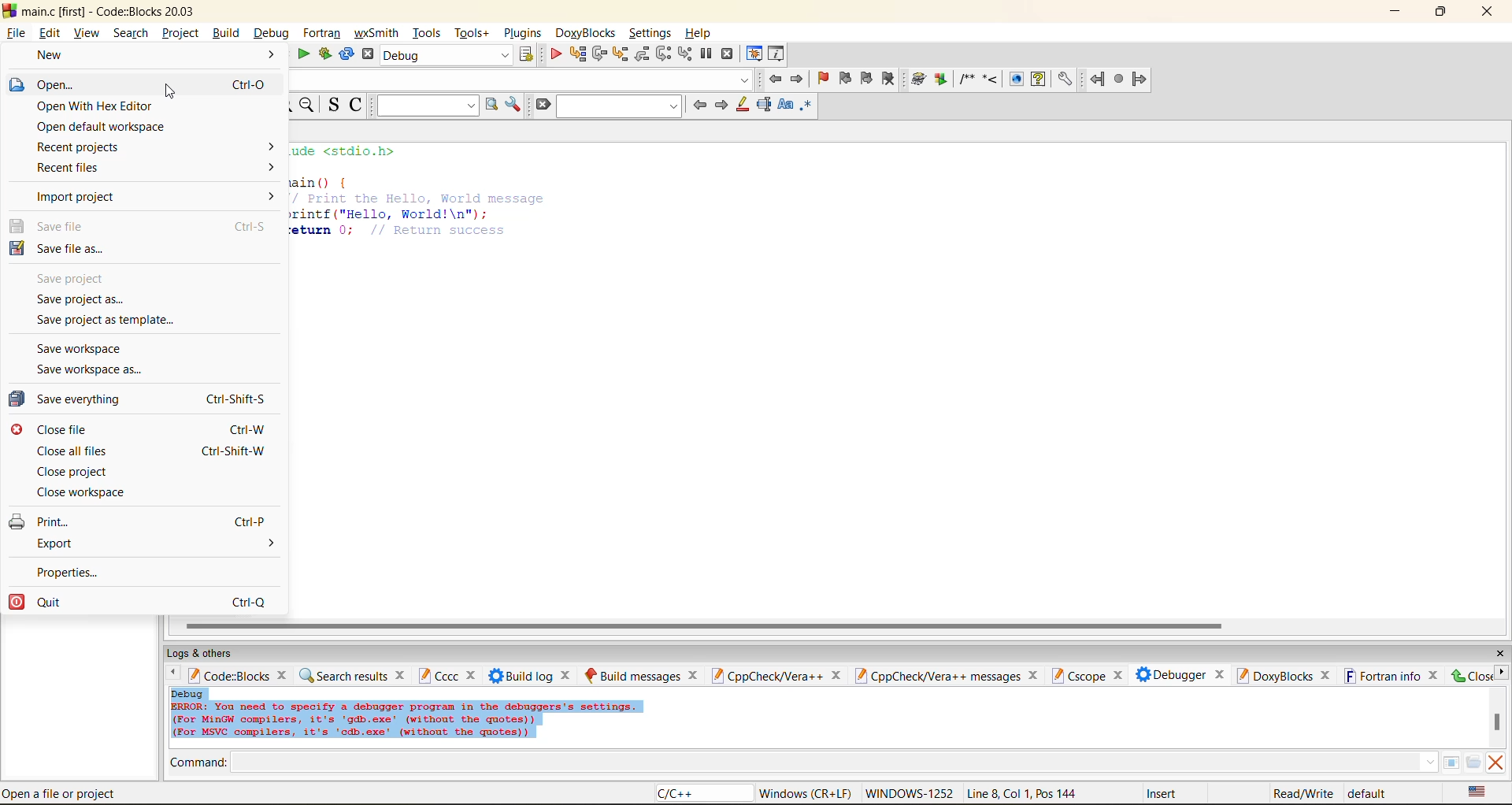  What do you see at coordinates (777, 54) in the screenshot?
I see `various info` at bounding box center [777, 54].